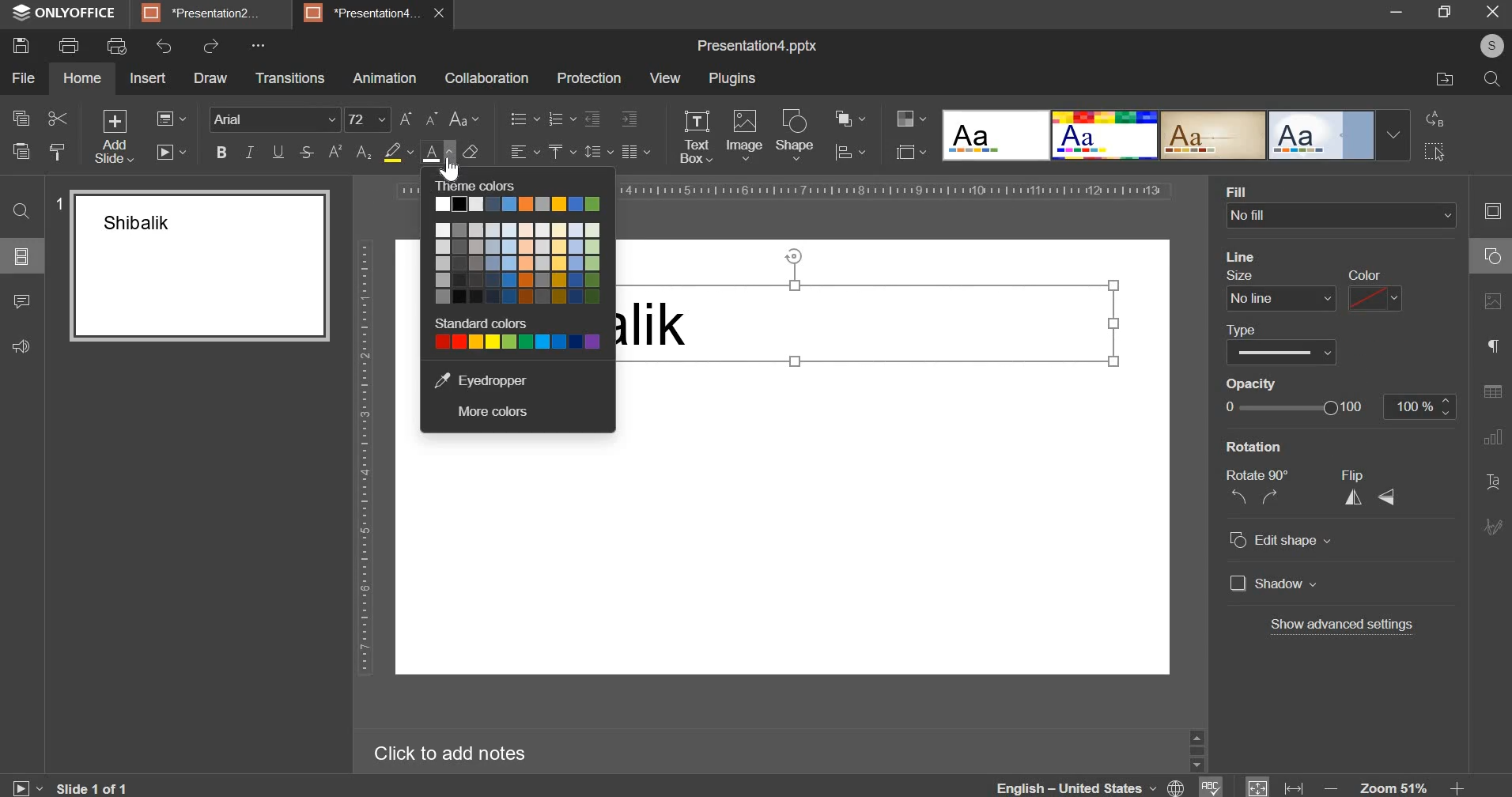 Image resolution: width=1512 pixels, height=797 pixels. What do you see at coordinates (192, 266) in the screenshot?
I see `Preview screen` at bounding box center [192, 266].